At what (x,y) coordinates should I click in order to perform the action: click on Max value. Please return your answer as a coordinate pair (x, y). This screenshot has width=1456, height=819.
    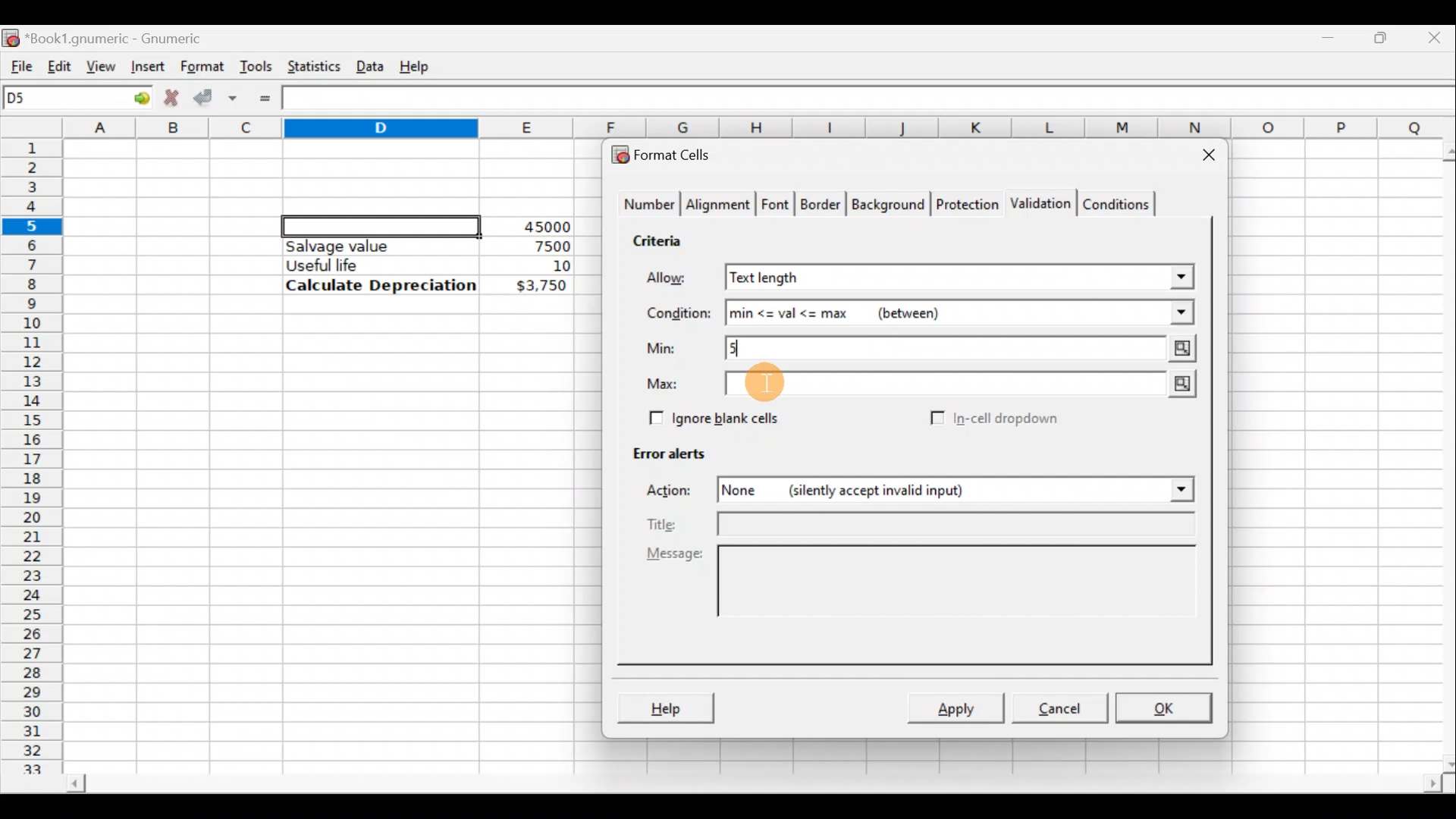
    Looking at the image, I should click on (965, 387).